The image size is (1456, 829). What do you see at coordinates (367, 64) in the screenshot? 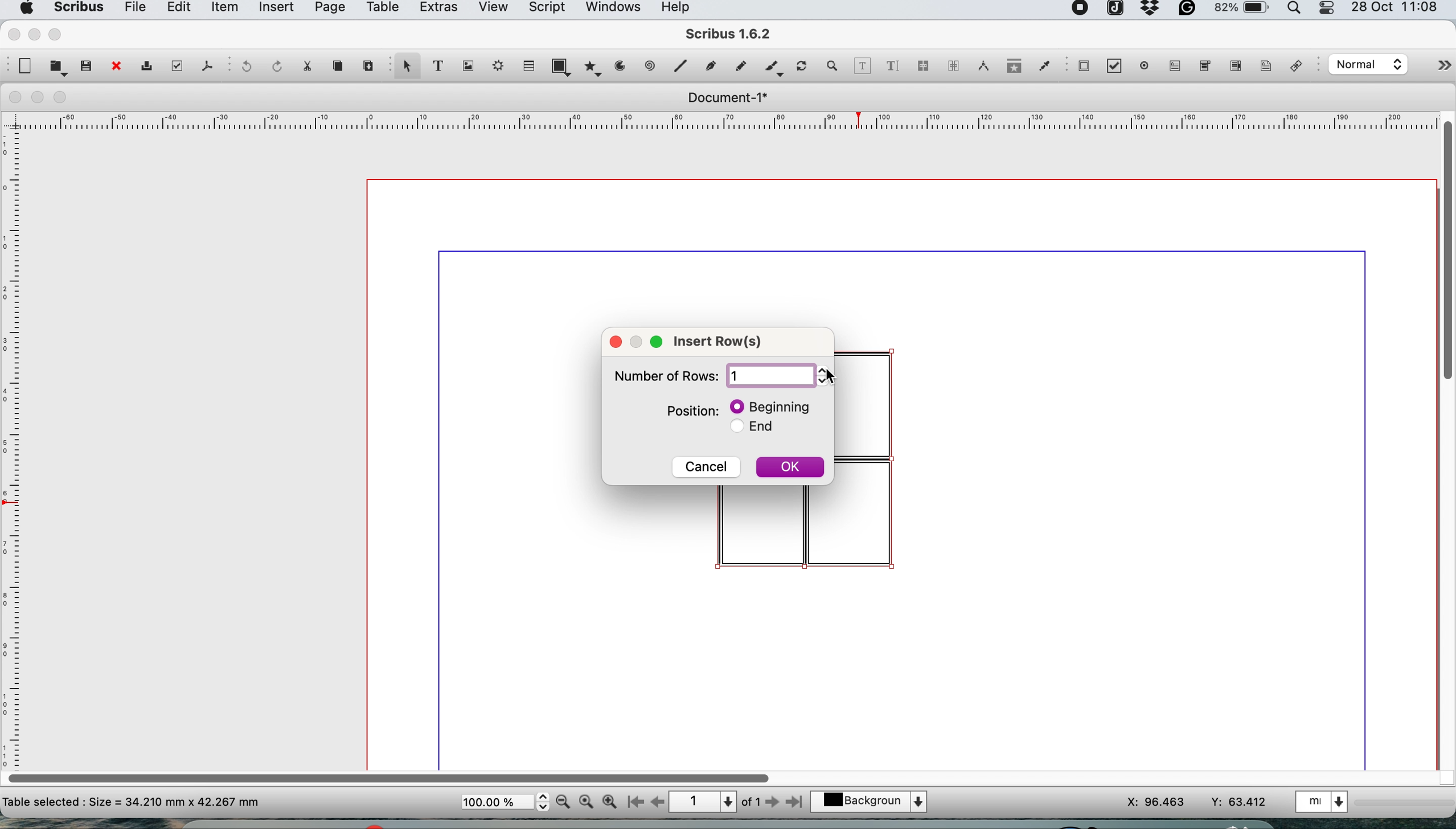
I see `paste` at bounding box center [367, 64].